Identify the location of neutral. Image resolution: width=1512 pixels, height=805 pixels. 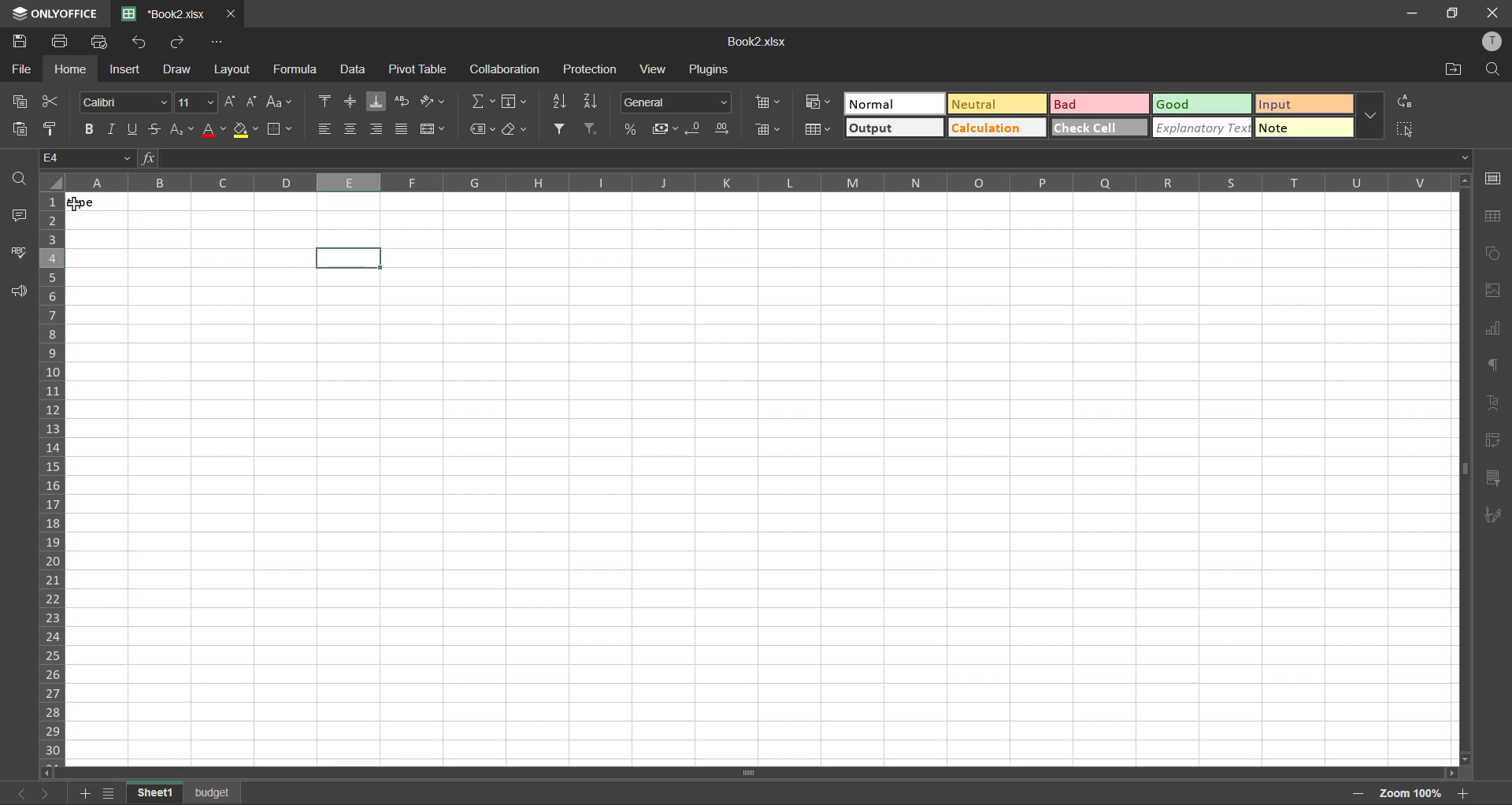
(996, 104).